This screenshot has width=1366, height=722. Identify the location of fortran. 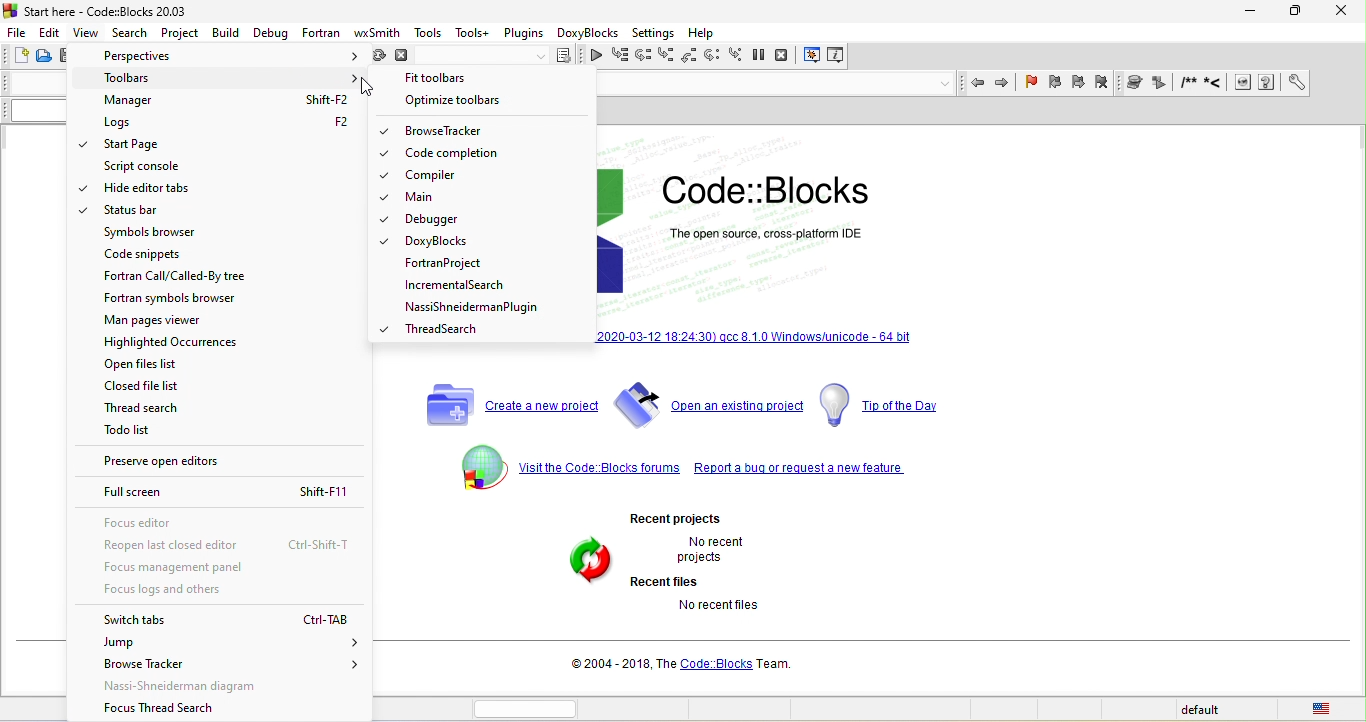
(317, 32).